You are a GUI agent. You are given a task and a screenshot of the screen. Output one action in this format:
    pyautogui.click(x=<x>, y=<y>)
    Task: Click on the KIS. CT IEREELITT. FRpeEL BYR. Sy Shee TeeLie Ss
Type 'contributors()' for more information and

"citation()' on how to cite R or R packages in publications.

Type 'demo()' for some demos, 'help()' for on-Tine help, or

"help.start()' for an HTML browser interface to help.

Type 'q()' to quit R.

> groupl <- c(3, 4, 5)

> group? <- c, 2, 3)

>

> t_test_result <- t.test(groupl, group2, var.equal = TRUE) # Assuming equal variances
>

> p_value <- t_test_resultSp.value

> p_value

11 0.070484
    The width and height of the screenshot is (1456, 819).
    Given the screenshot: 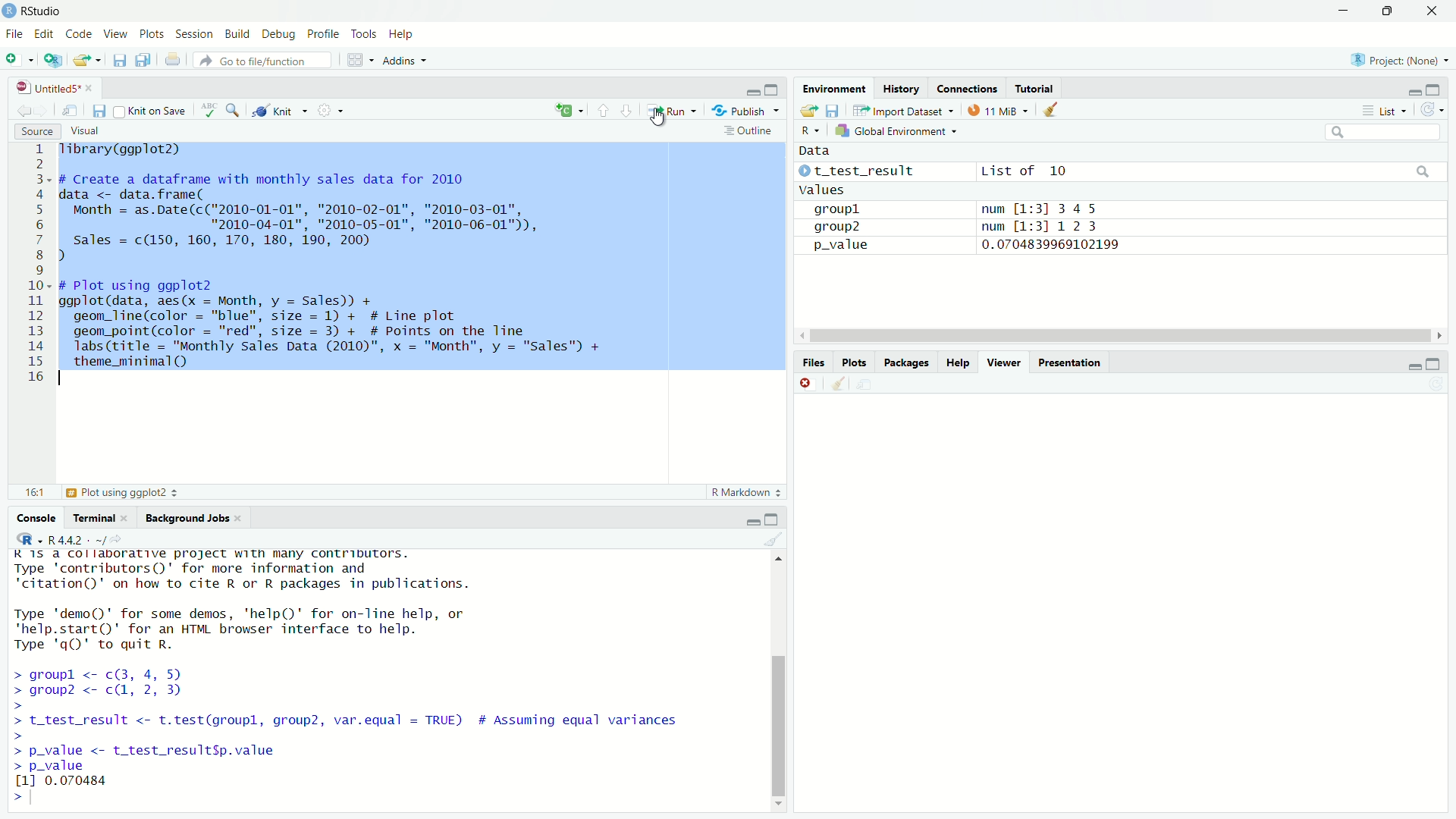 What is the action you would take?
    pyautogui.click(x=355, y=668)
    